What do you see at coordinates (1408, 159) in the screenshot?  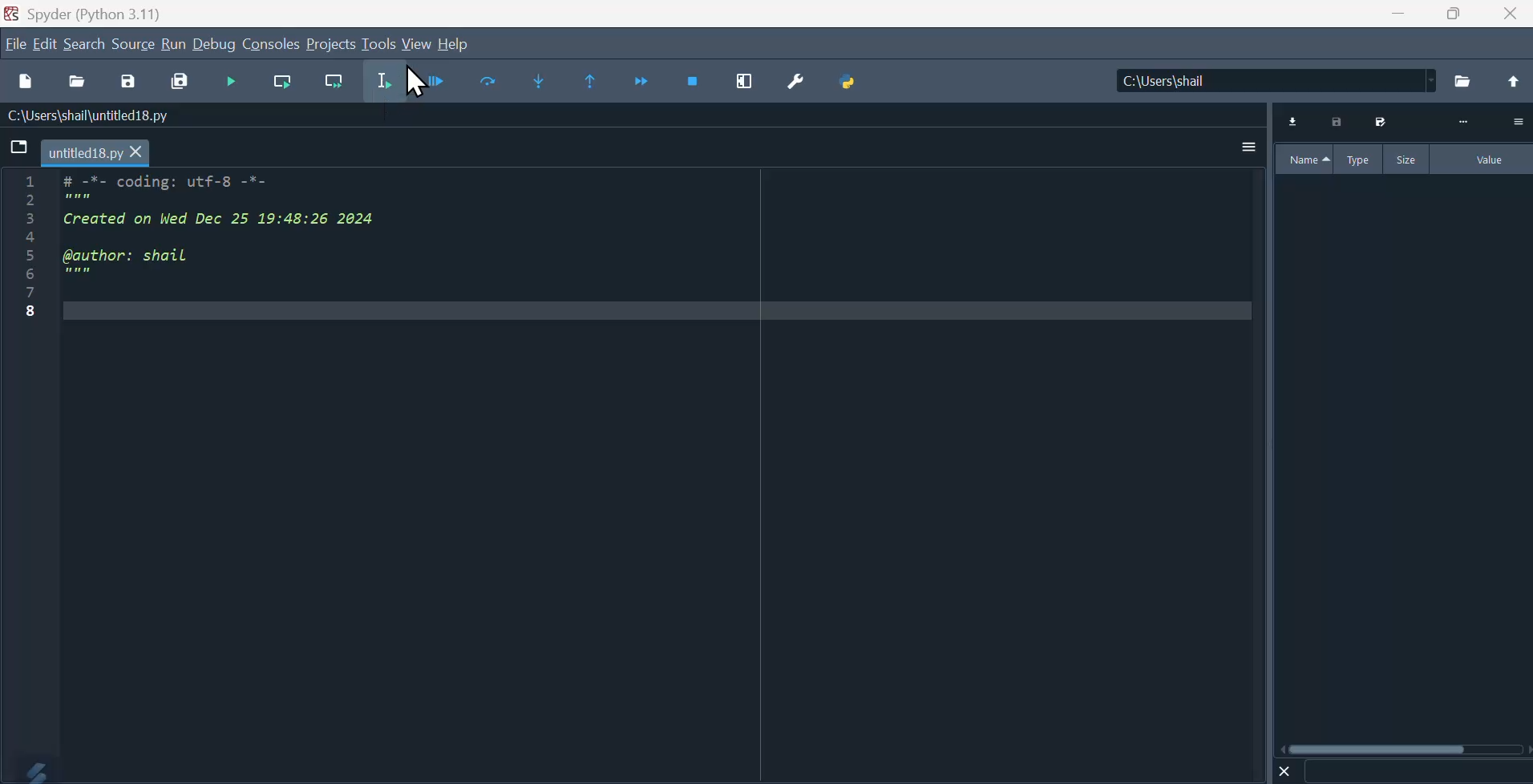 I see `Size` at bounding box center [1408, 159].